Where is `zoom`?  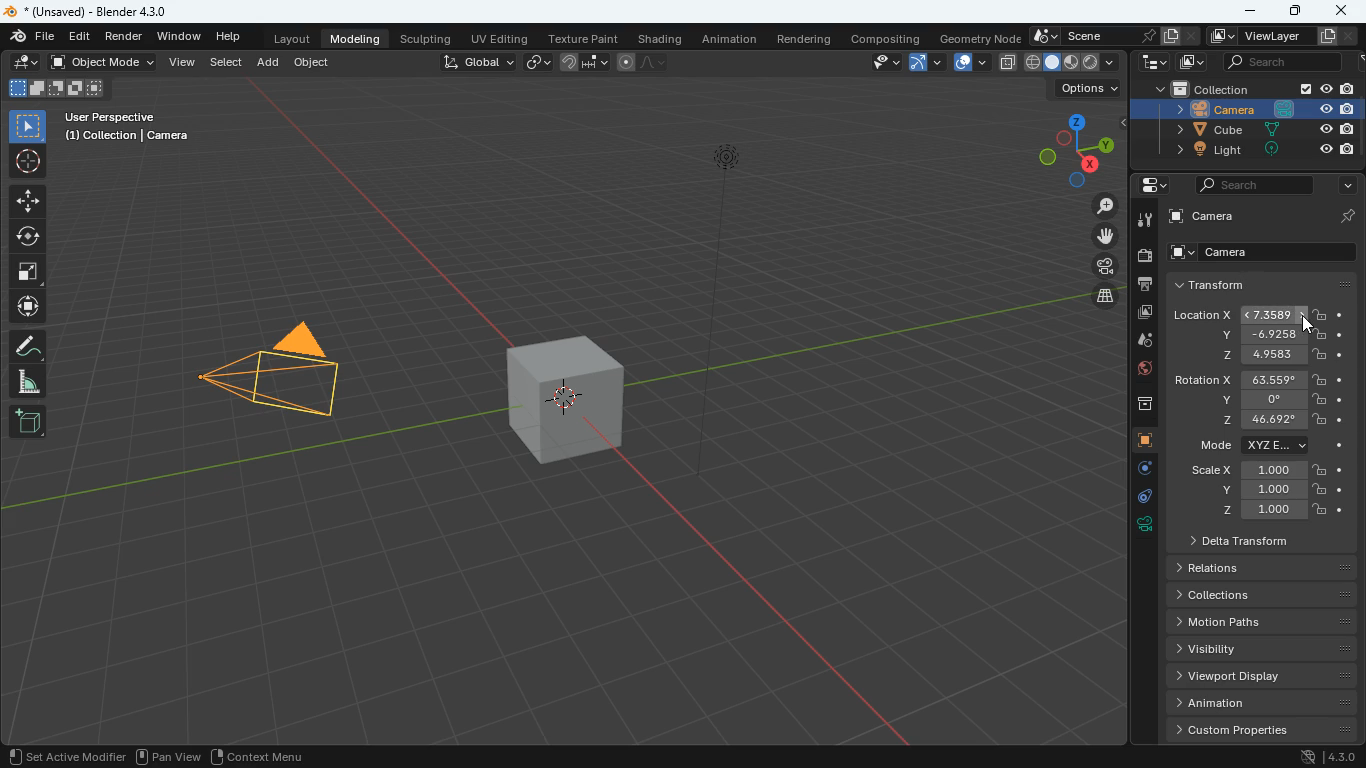 zoom is located at coordinates (1106, 208).